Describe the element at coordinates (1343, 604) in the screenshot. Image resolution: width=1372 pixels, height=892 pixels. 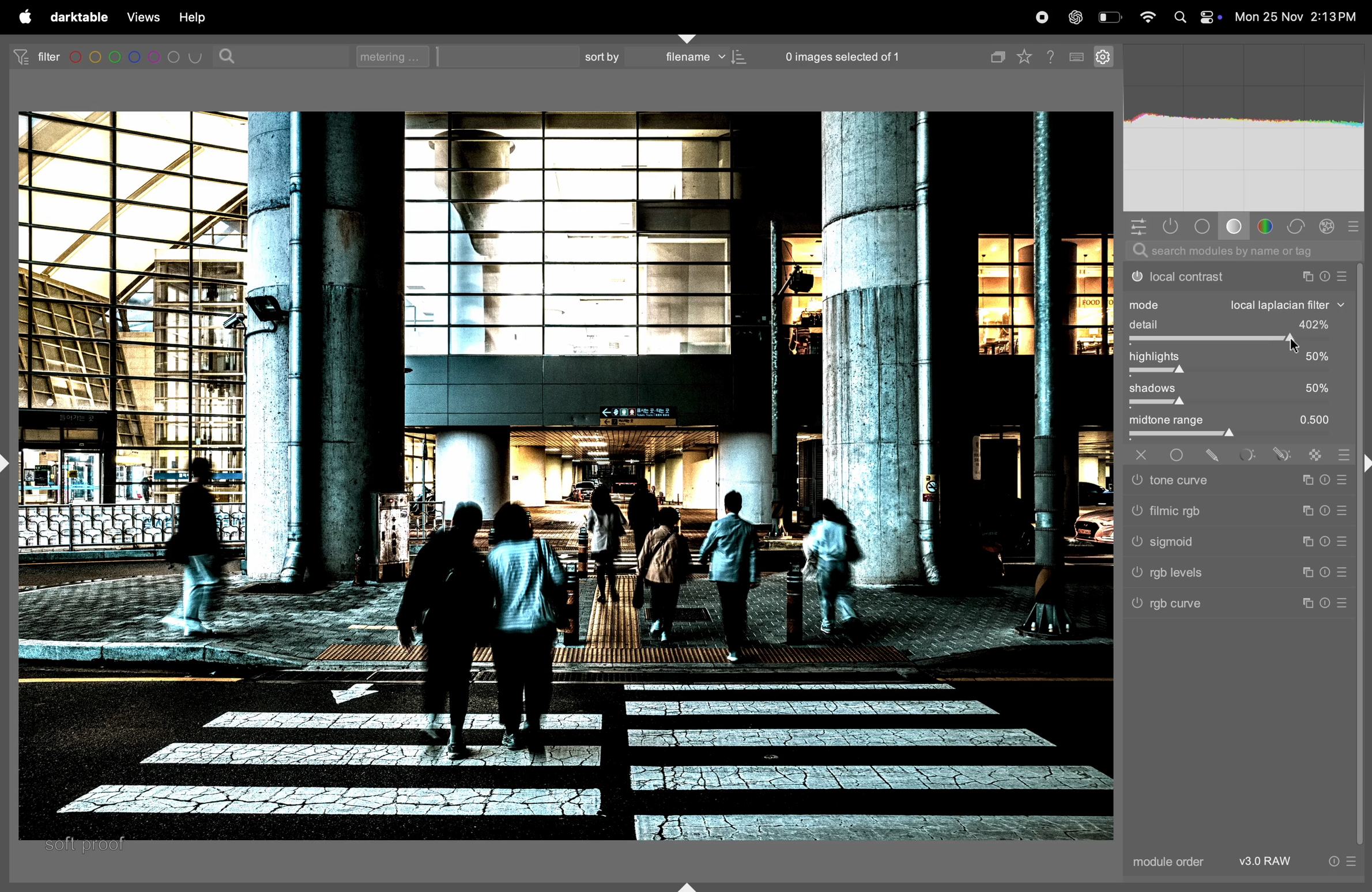
I see `preset` at that location.